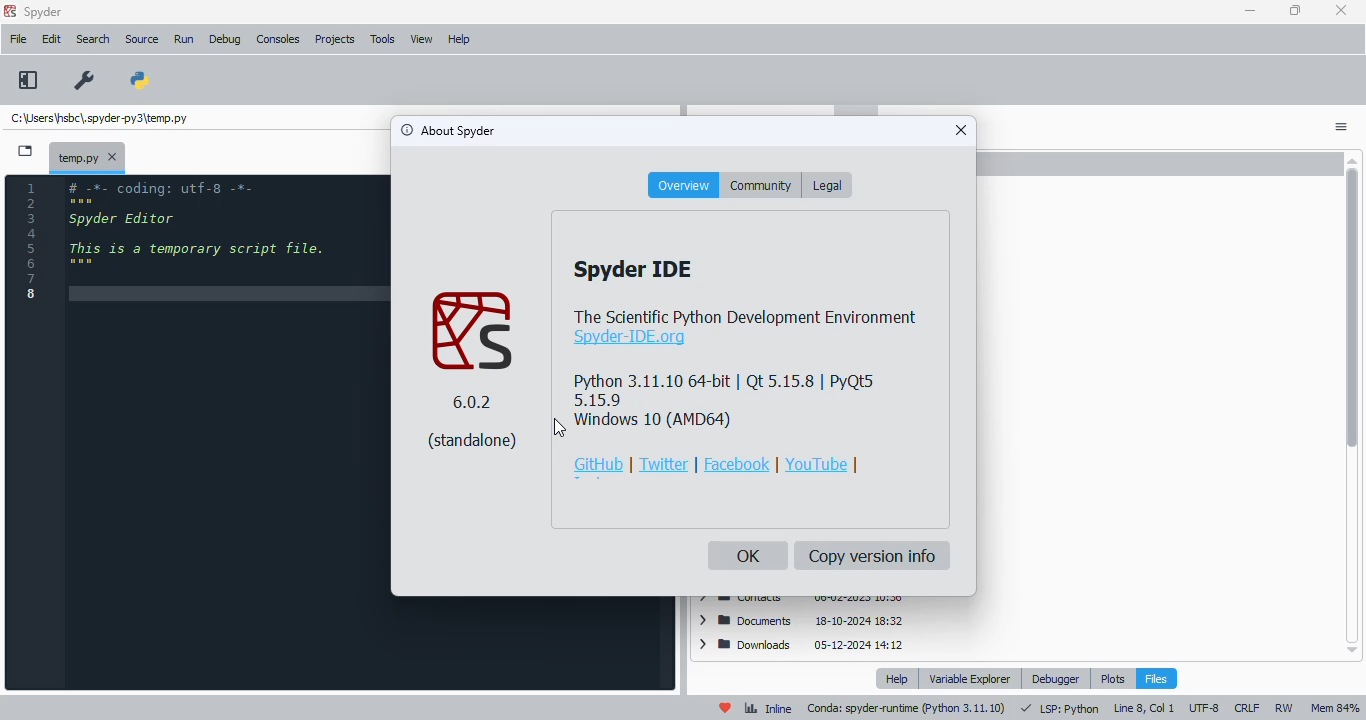  Describe the element at coordinates (86, 81) in the screenshot. I see `preferences` at that location.